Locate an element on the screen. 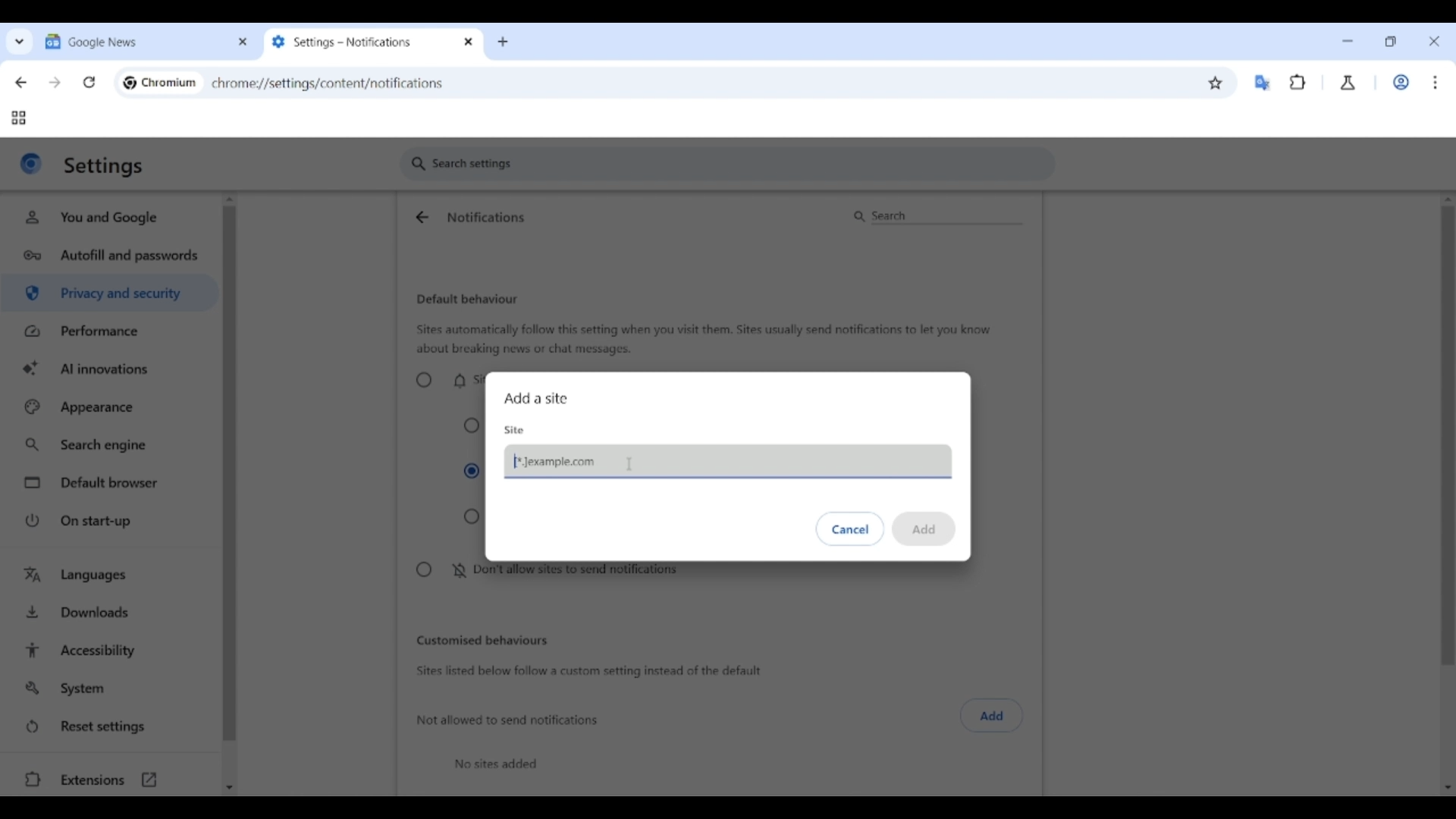 Image resolution: width=1456 pixels, height=819 pixels. Cursor is located at coordinates (630, 463).